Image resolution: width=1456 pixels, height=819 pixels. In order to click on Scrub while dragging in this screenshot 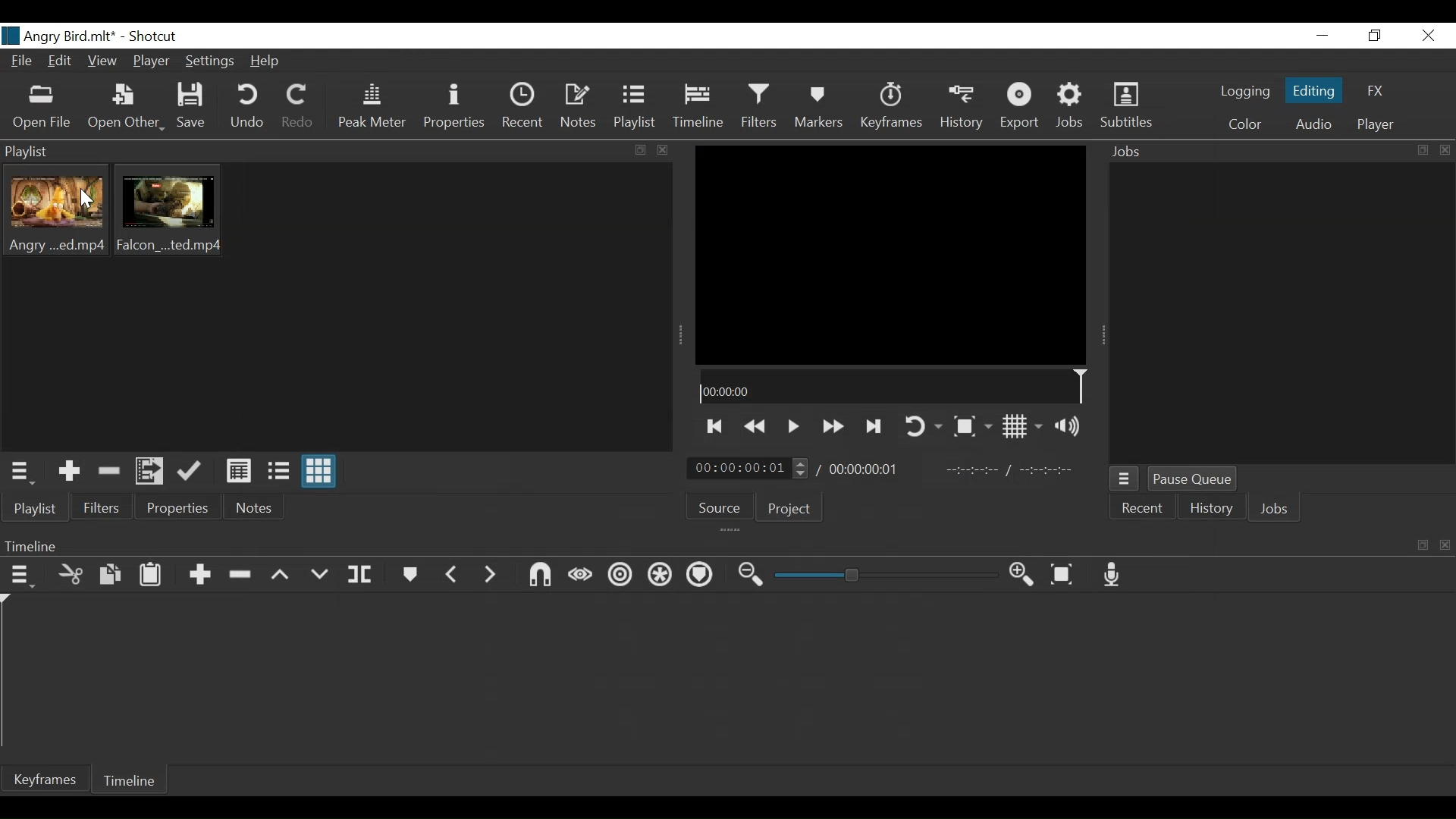, I will do `click(581, 578)`.